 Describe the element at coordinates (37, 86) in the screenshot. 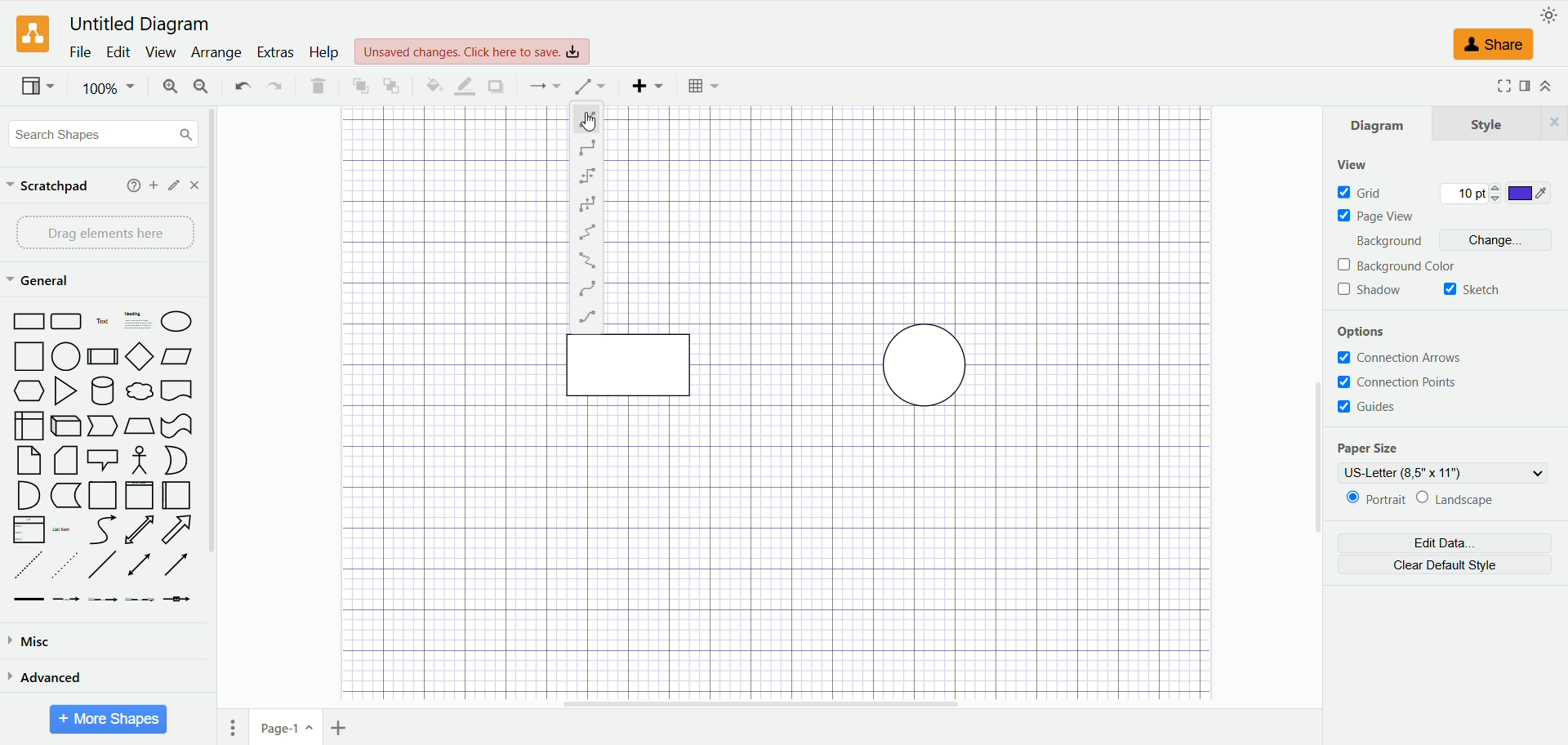

I see `view` at that location.